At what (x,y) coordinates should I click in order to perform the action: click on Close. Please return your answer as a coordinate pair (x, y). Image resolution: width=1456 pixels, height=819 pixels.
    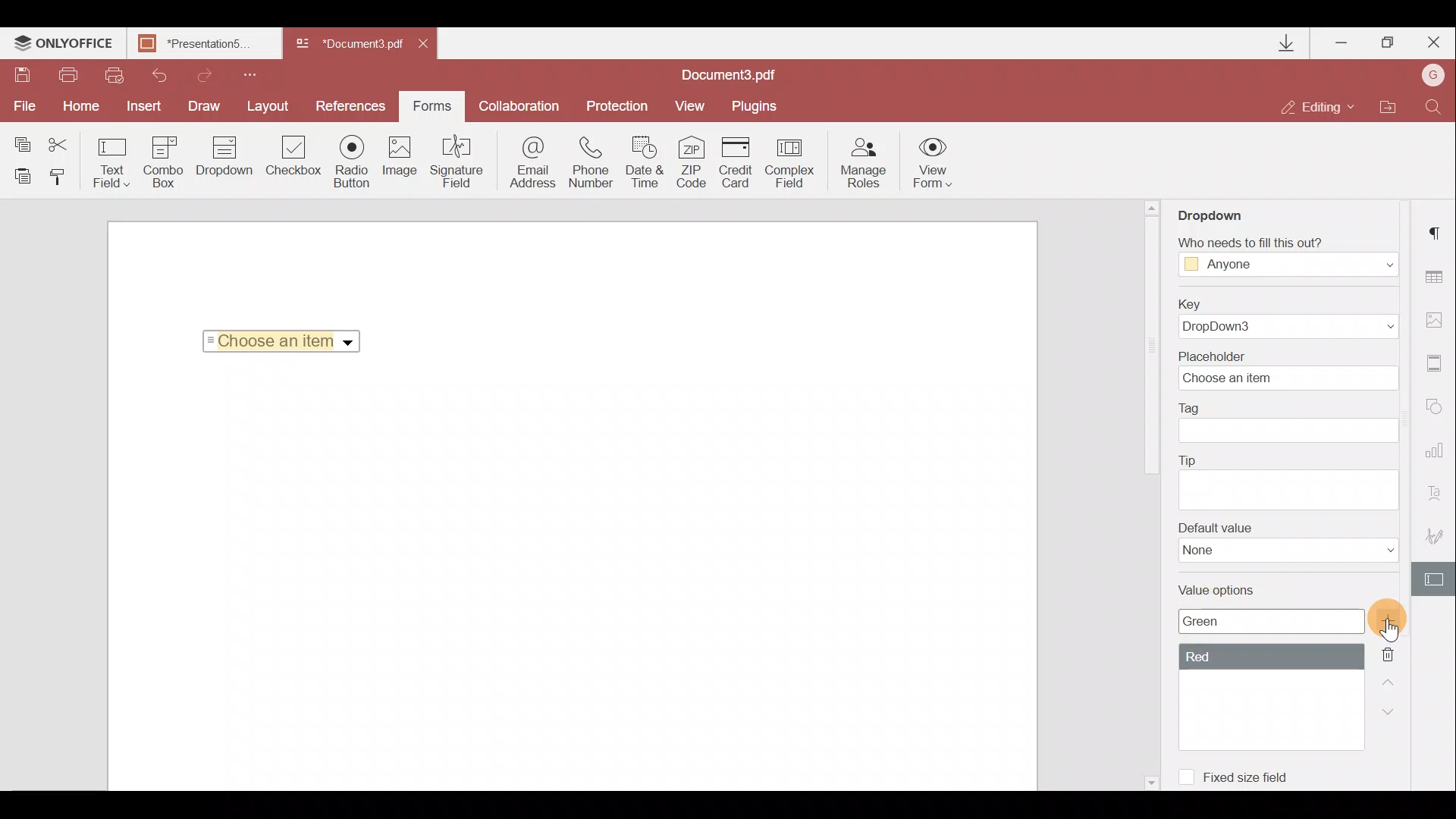
    Looking at the image, I should click on (1432, 43).